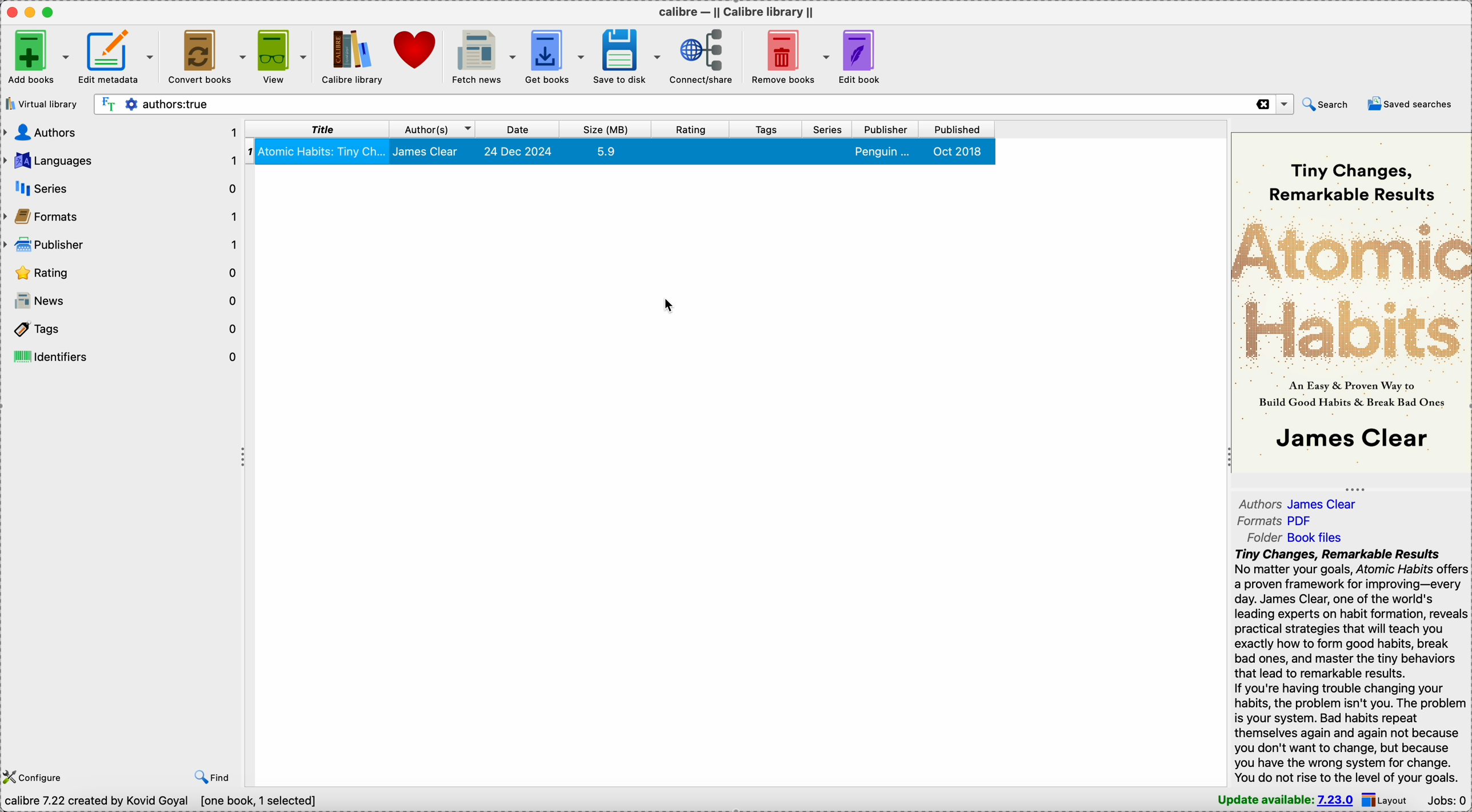 This screenshot has height=812, width=1472. Describe the element at coordinates (1446, 801) in the screenshot. I see `Jobs: 0` at that location.